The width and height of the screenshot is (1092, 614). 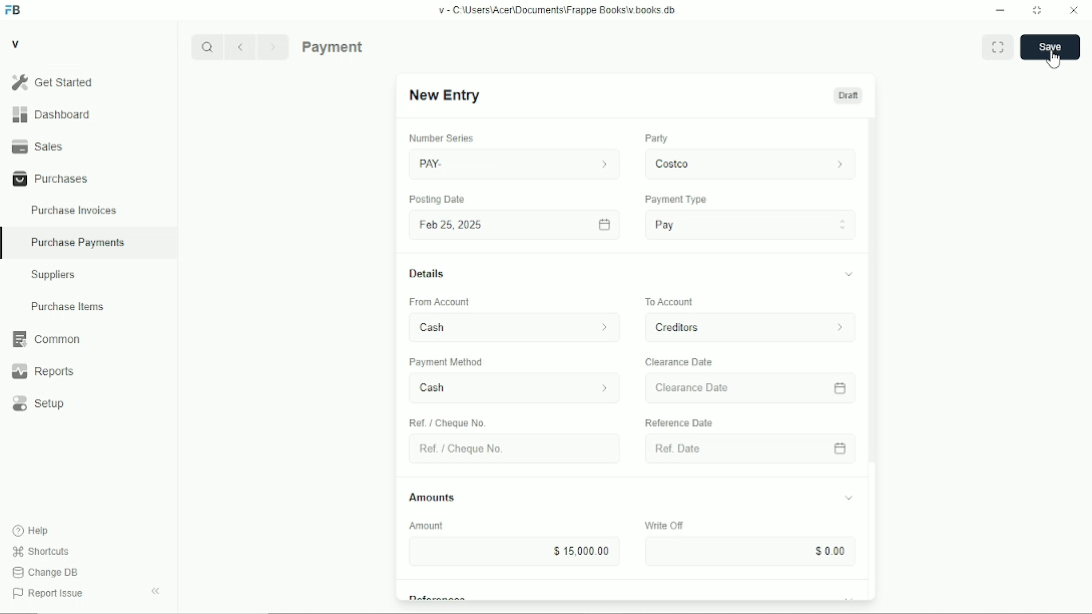 What do you see at coordinates (454, 364) in the screenshot?
I see `‘Payment Method` at bounding box center [454, 364].